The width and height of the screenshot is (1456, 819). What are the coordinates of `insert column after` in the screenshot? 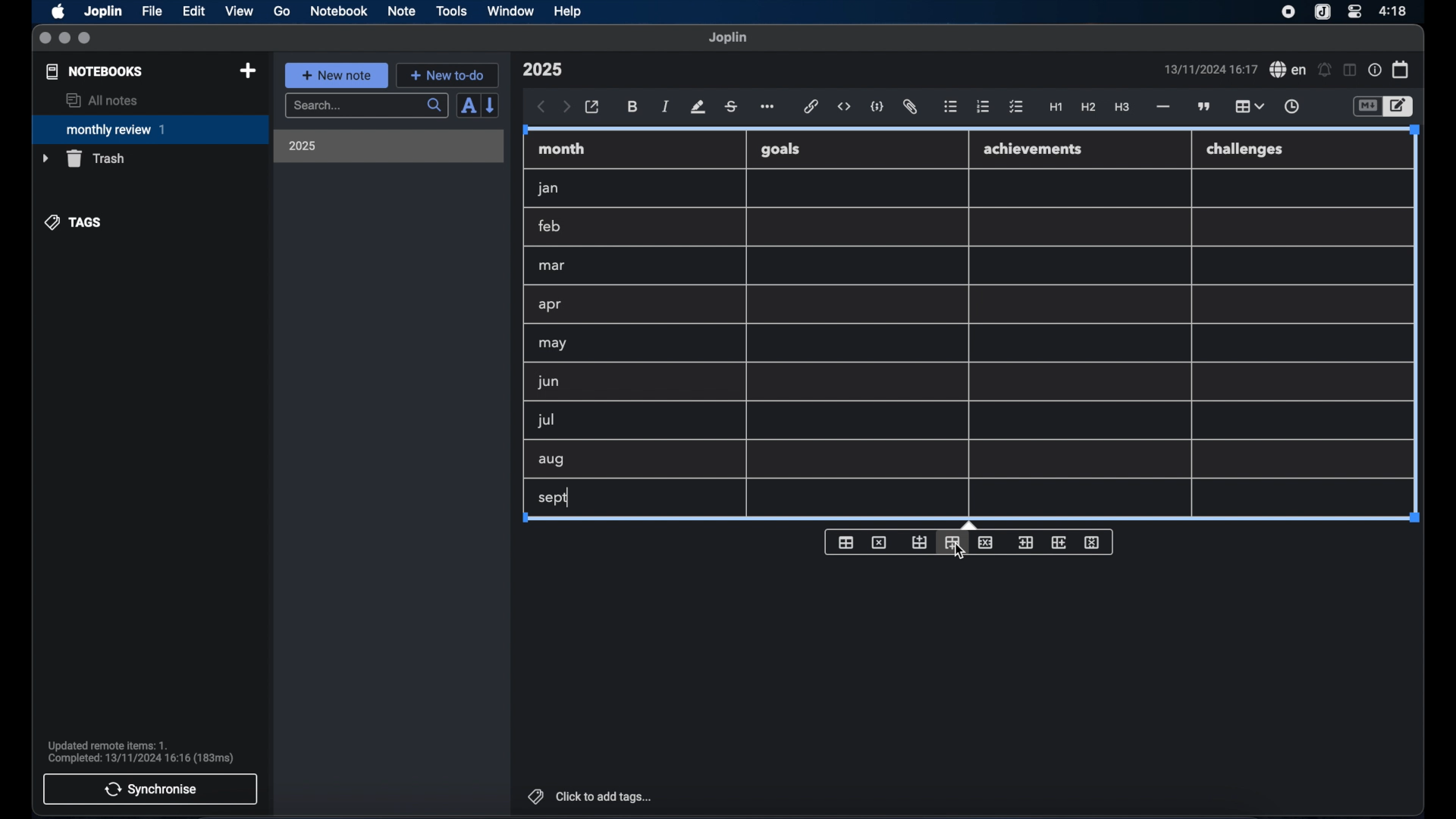 It's located at (1059, 542).